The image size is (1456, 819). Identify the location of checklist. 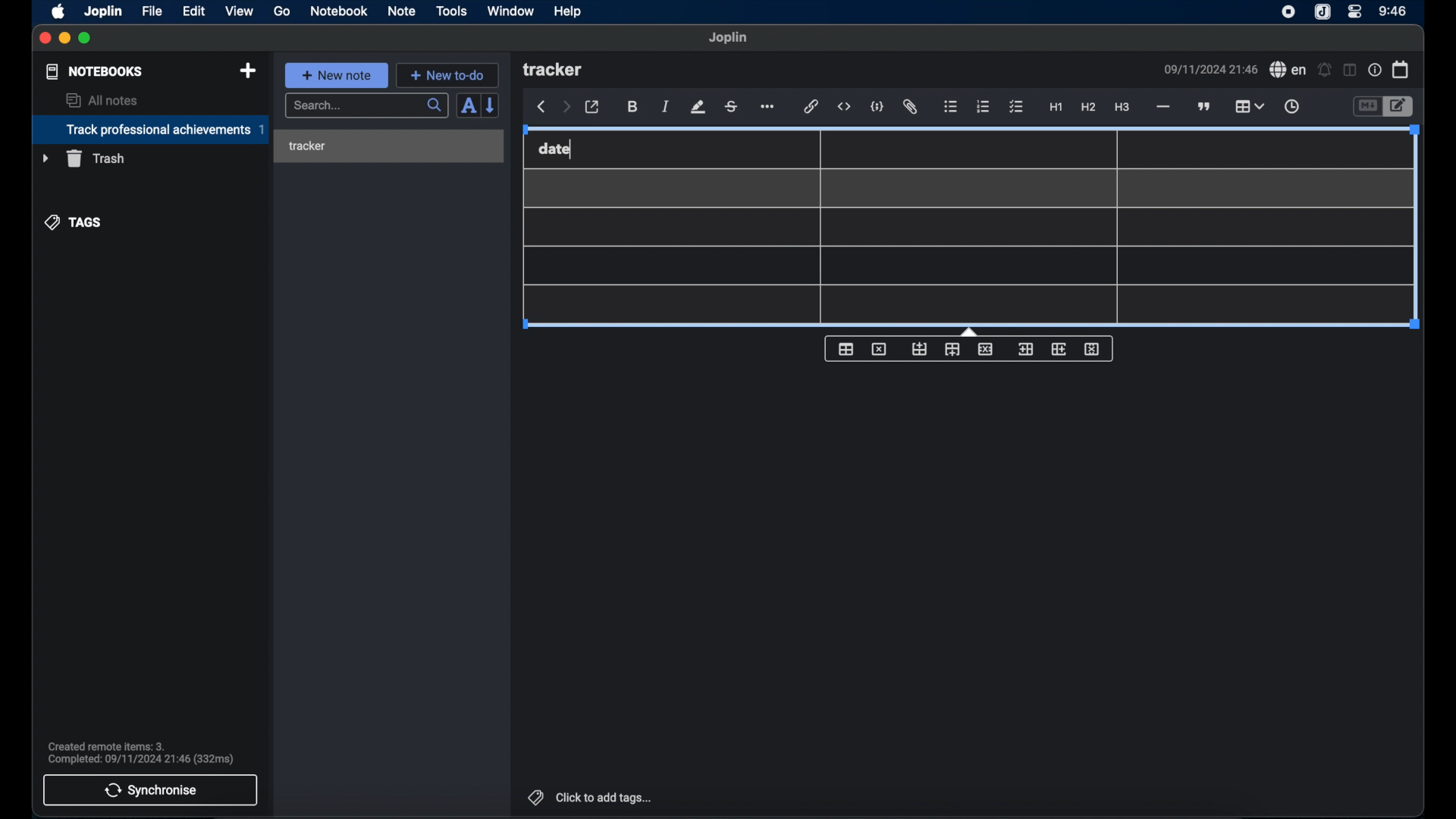
(1016, 107).